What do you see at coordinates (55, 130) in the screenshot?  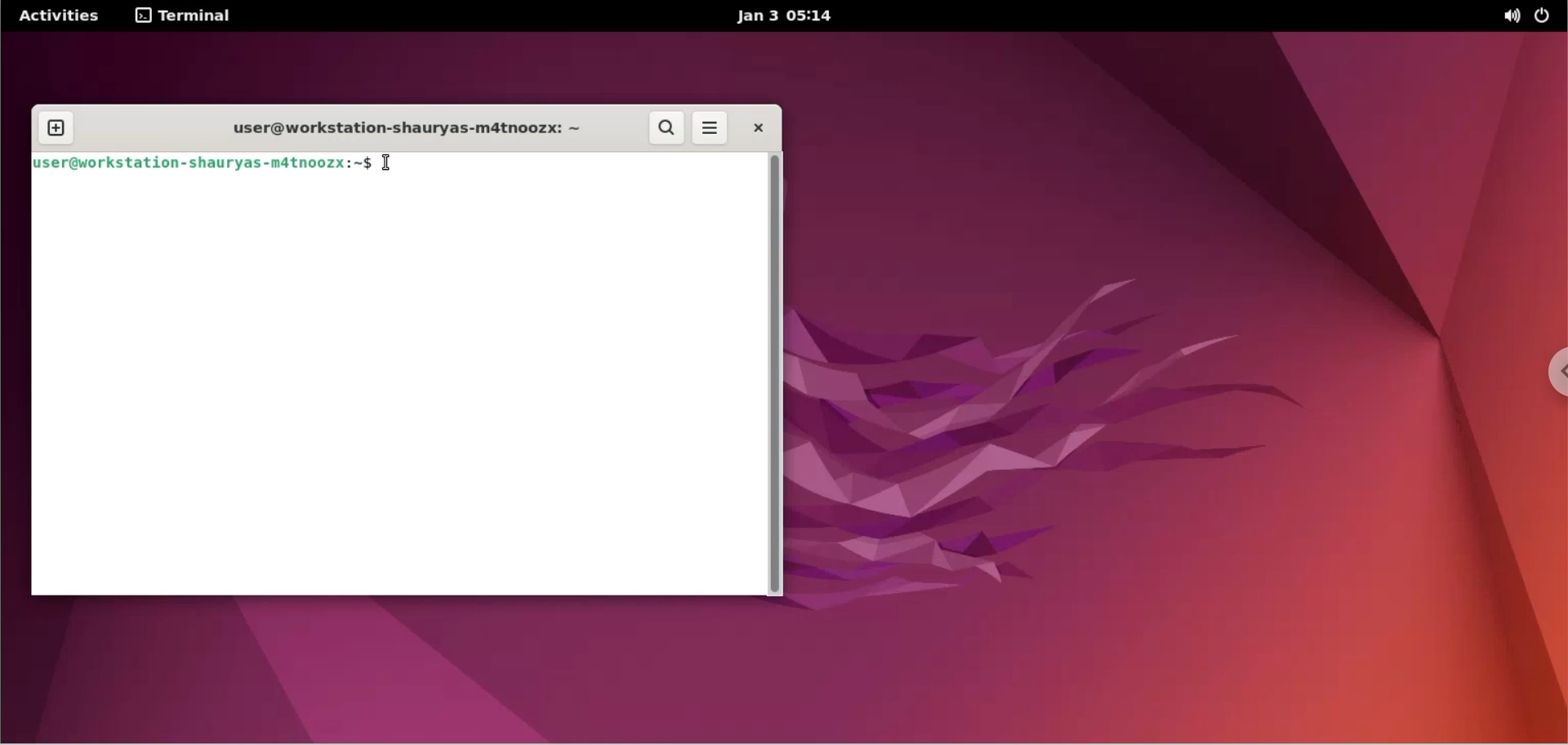 I see `new tab` at bounding box center [55, 130].